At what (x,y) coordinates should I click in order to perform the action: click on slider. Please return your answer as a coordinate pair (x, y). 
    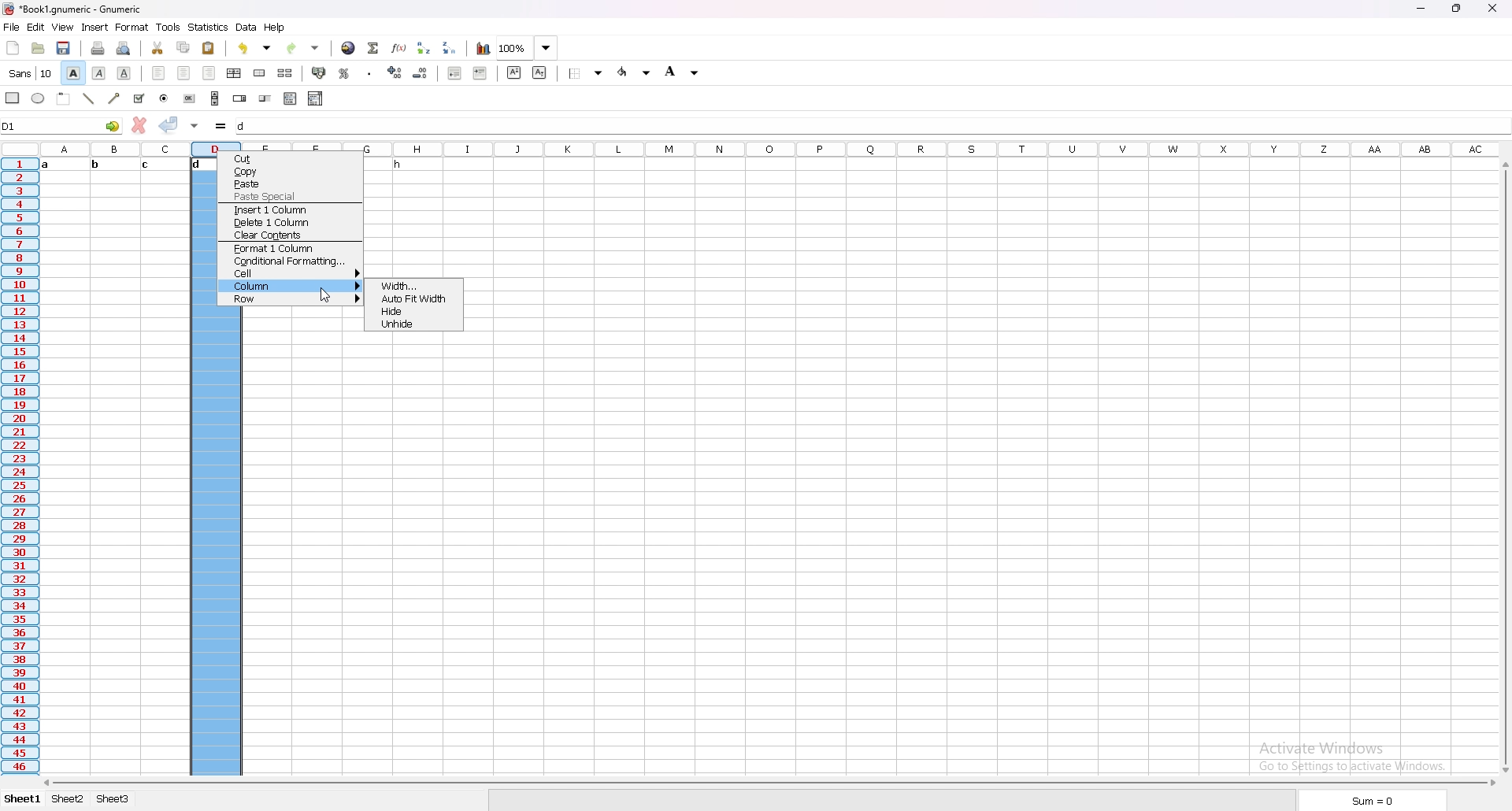
    Looking at the image, I should click on (266, 99).